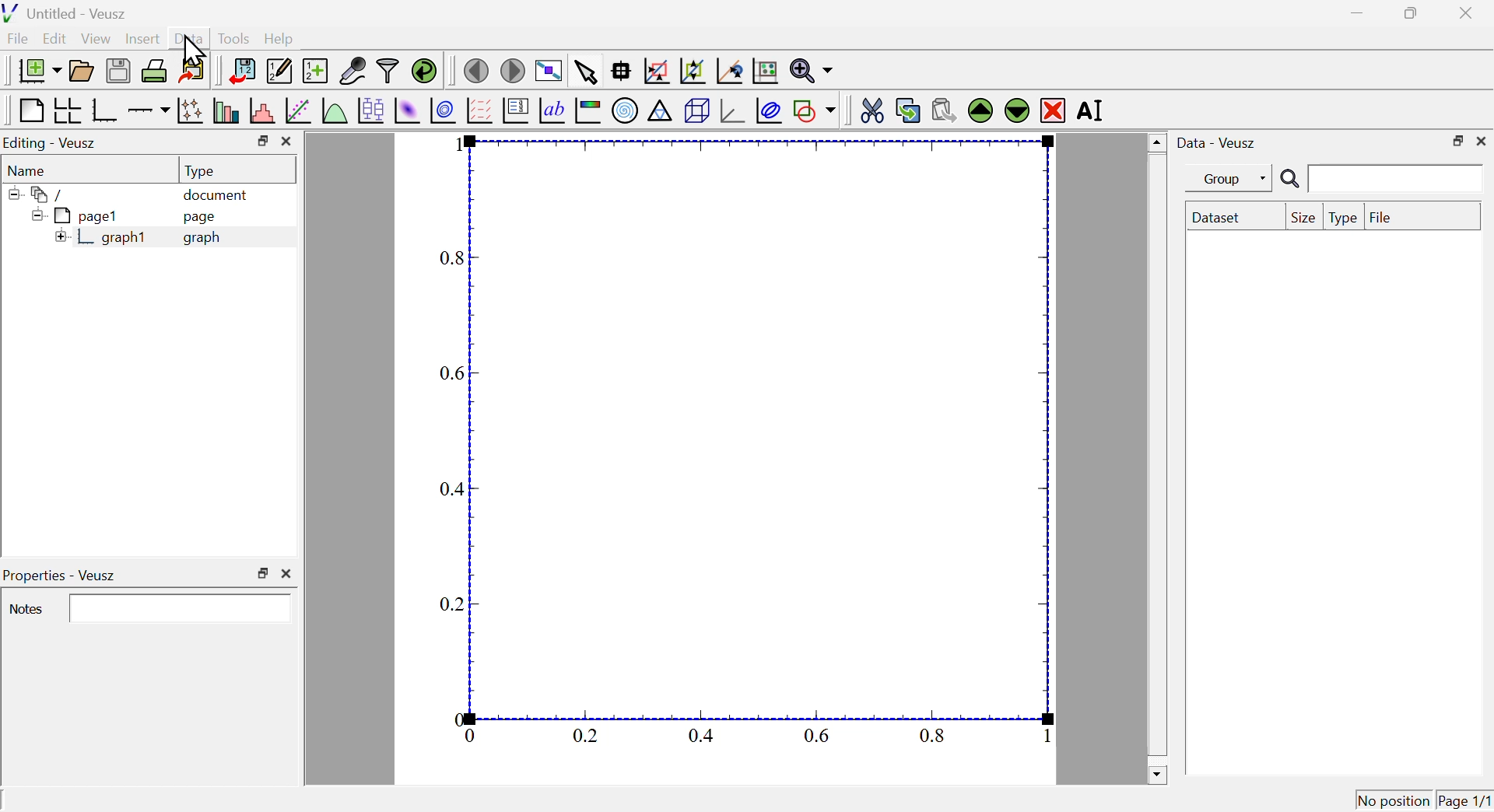 This screenshot has width=1494, height=812. What do you see at coordinates (816, 735) in the screenshot?
I see `0.6` at bounding box center [816, 735].